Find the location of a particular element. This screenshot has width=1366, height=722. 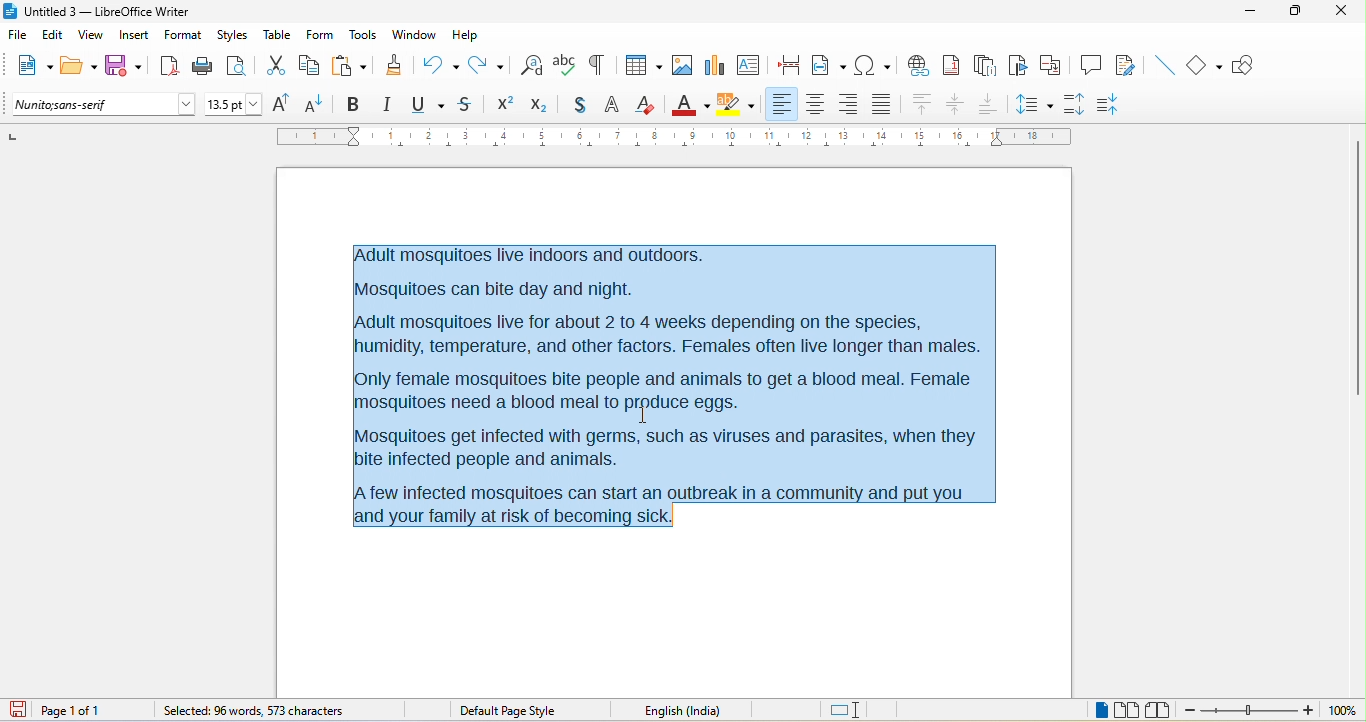

cursor movement is located at coordinates (653, 418).